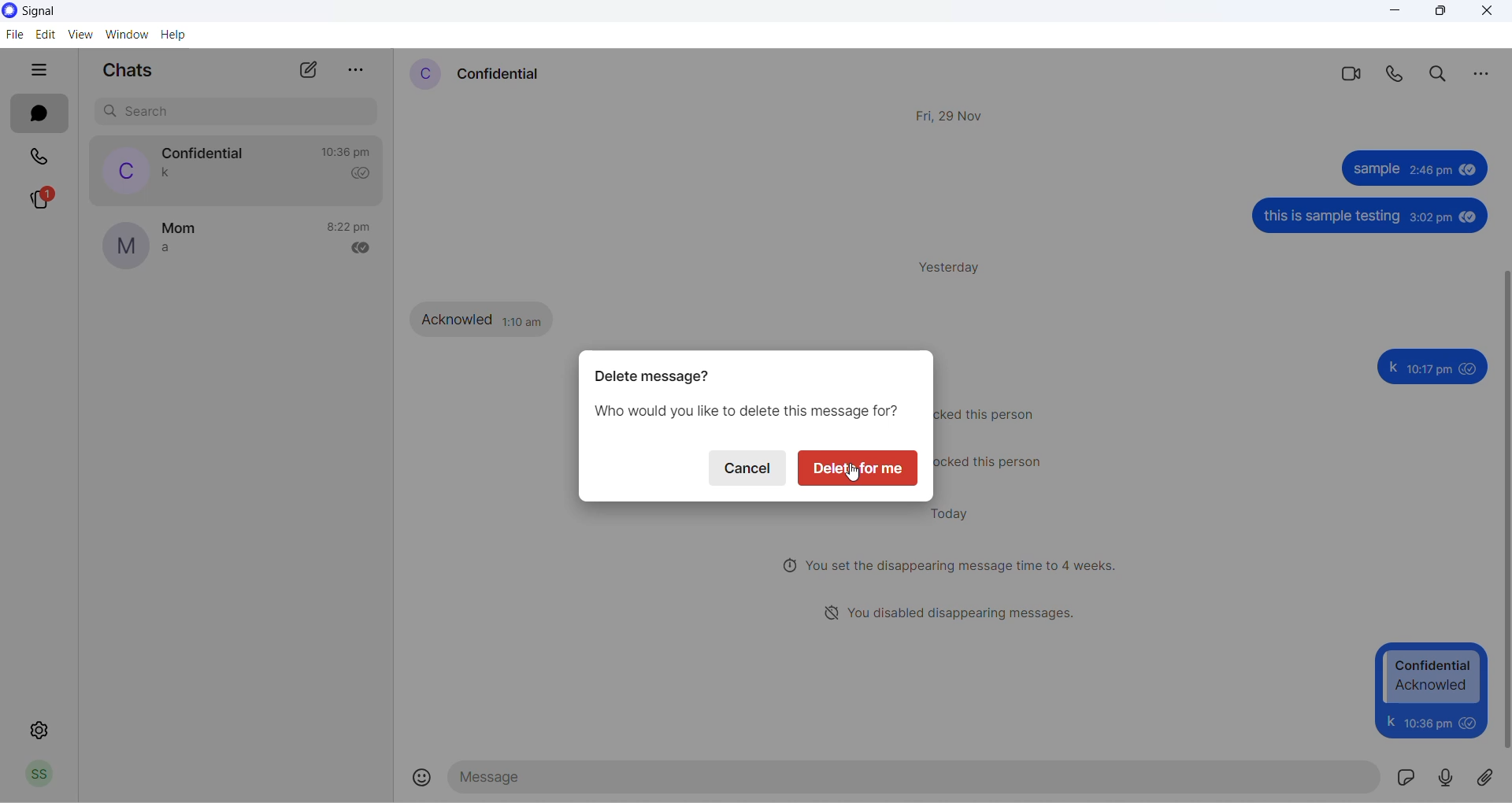 The image size is (1512, 803). I want to click on scroll bar, so click(1503, 509).